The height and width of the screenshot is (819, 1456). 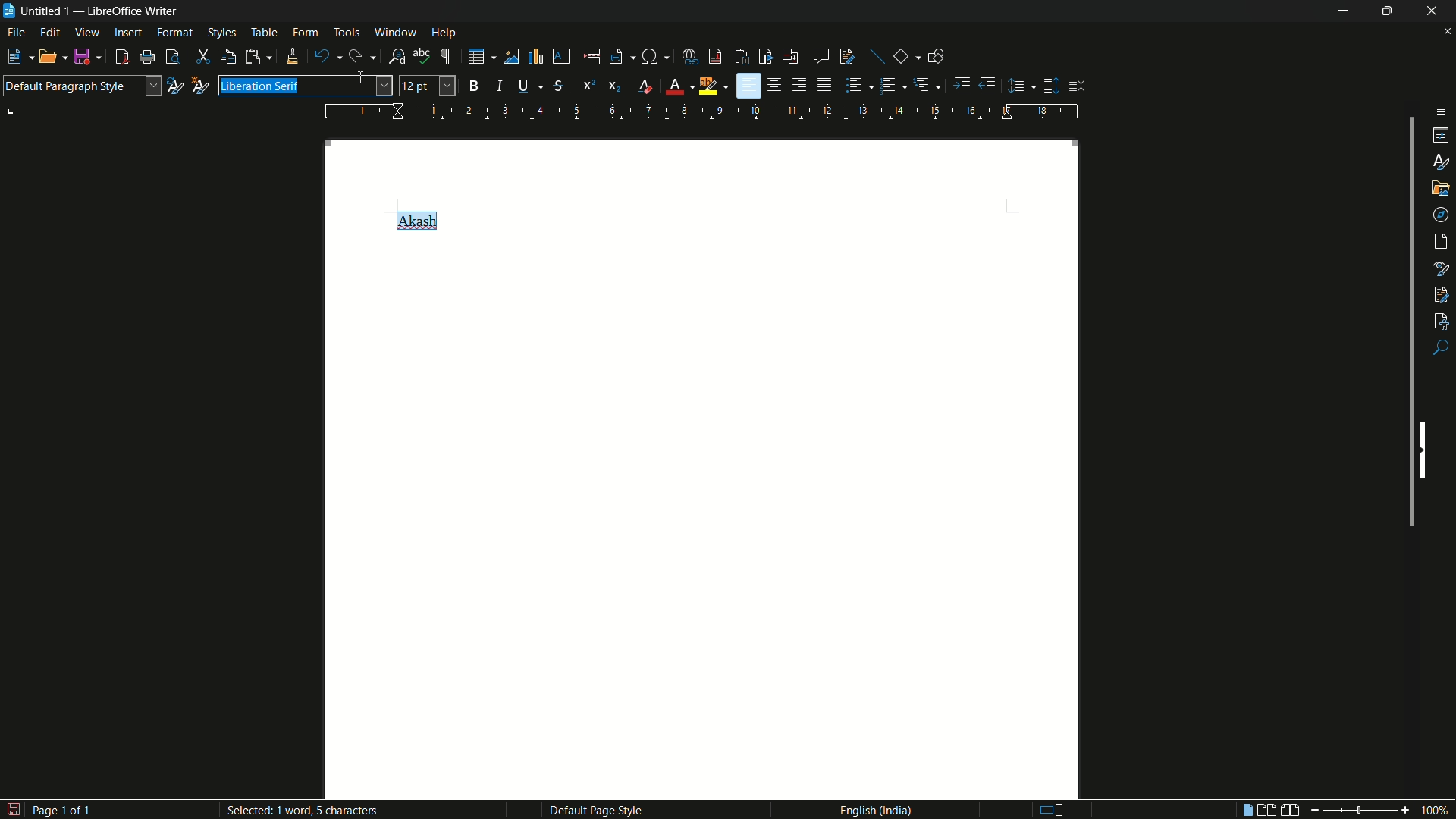 What do you see at coordinates (766, 56) in the screenshot?
I see `insert bookmark` at bounding box center [766, 56].